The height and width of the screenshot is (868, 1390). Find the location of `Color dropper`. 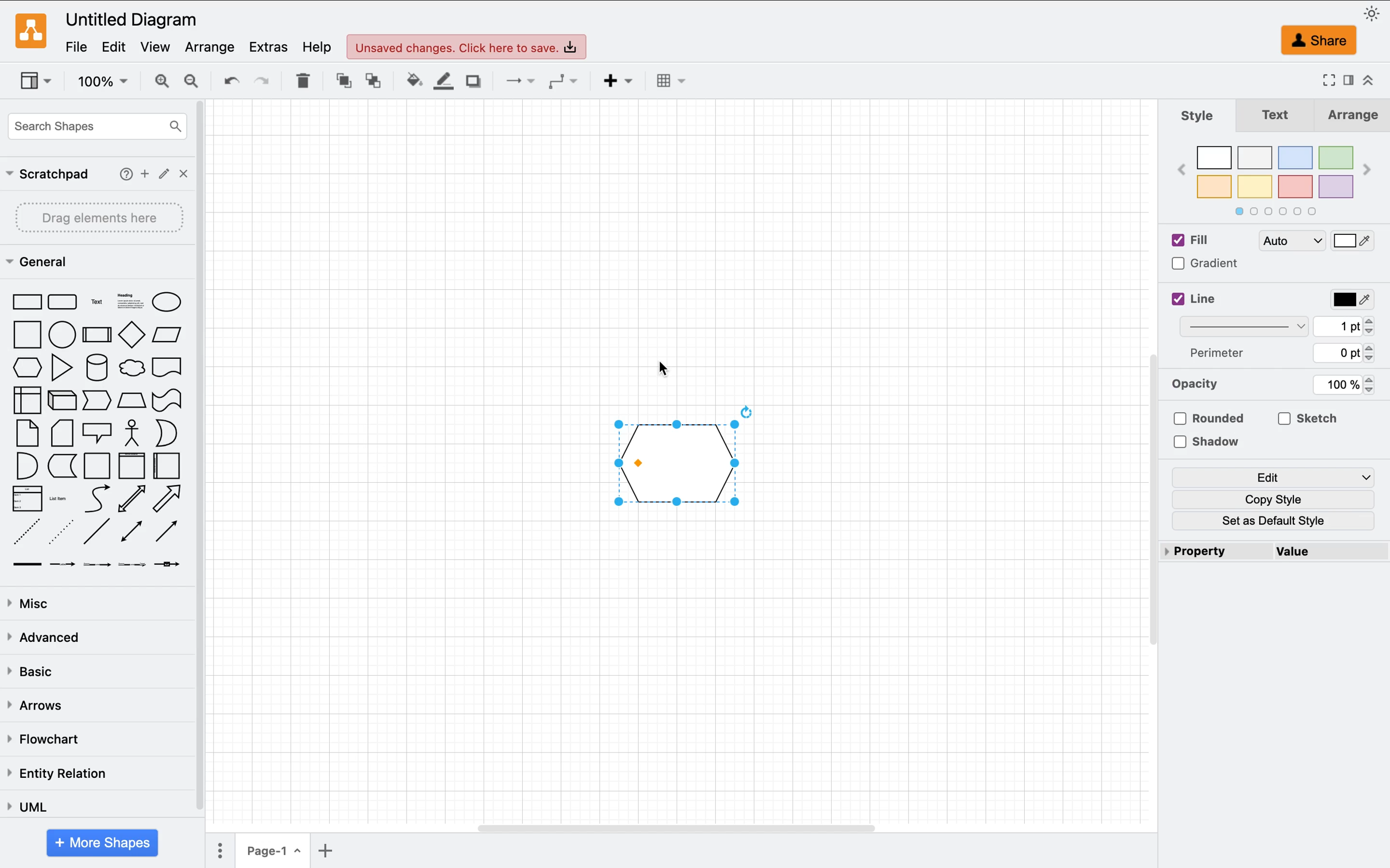

Color dropper is located at coordinates (1359, 243).